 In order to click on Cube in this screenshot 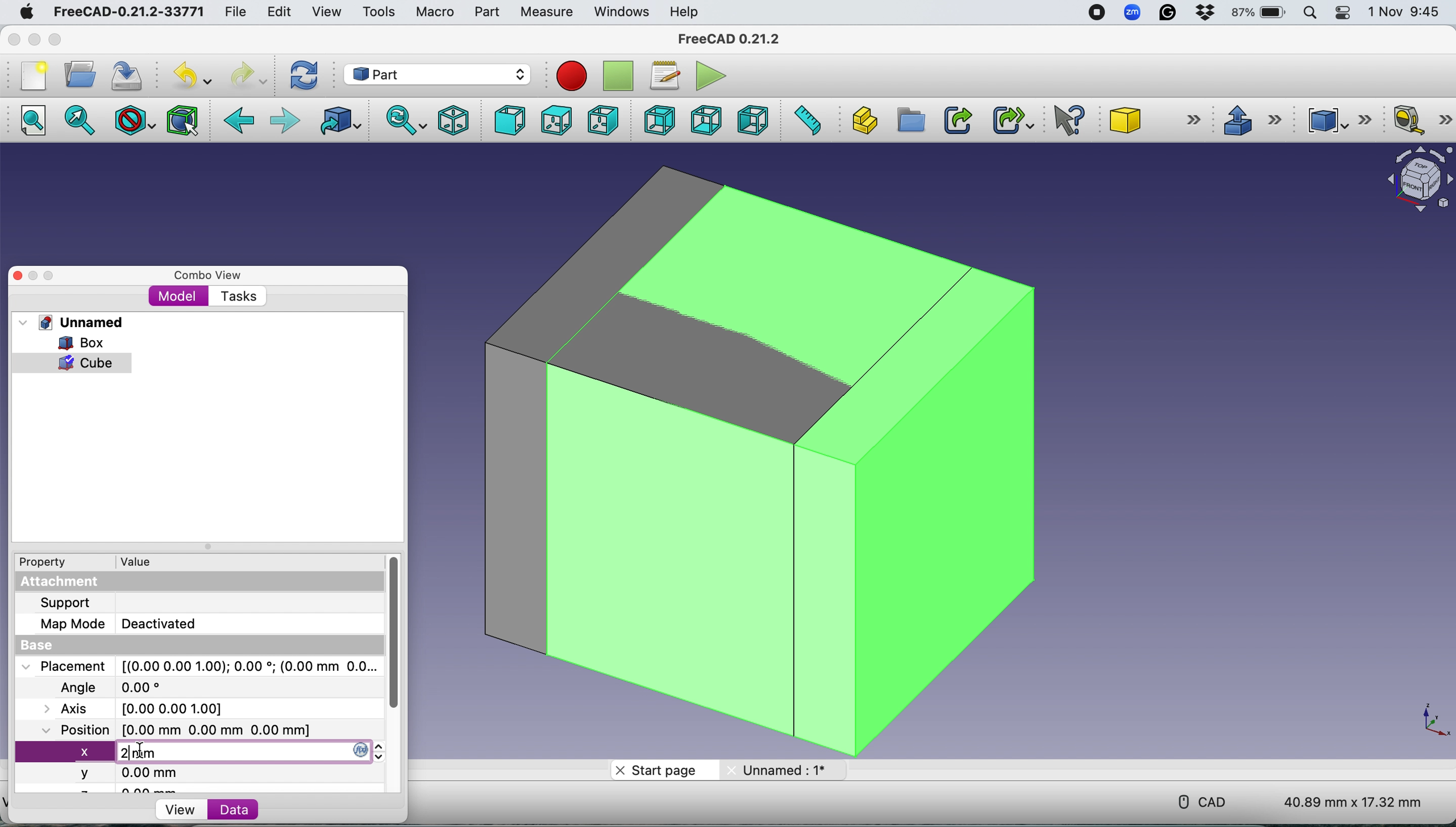, I will do `click(1151, 120)`.